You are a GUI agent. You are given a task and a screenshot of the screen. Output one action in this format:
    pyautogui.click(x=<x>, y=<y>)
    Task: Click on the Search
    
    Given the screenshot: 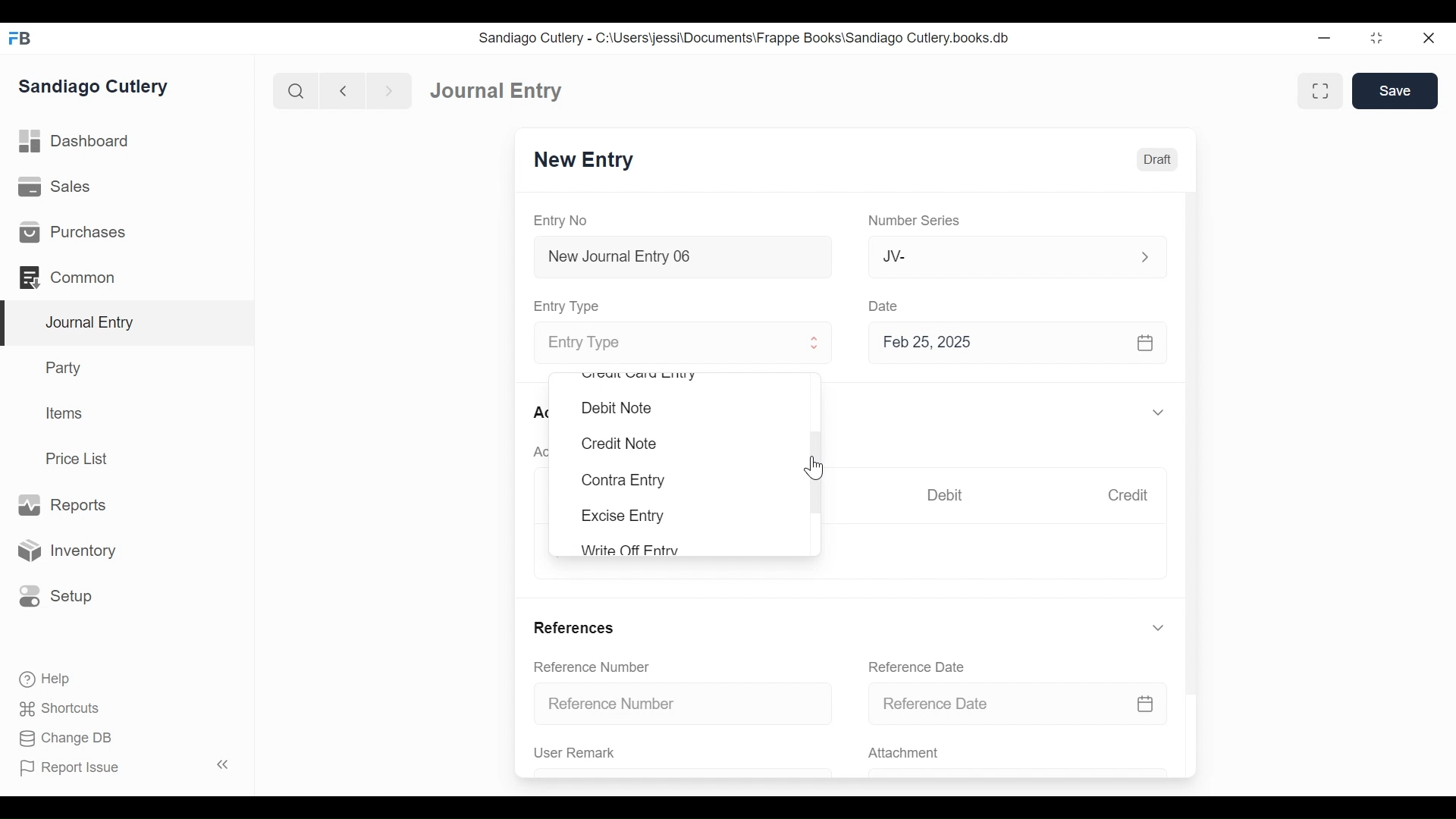 What is the action you would take?
    pyautogui.click(x=297, y=91)
    